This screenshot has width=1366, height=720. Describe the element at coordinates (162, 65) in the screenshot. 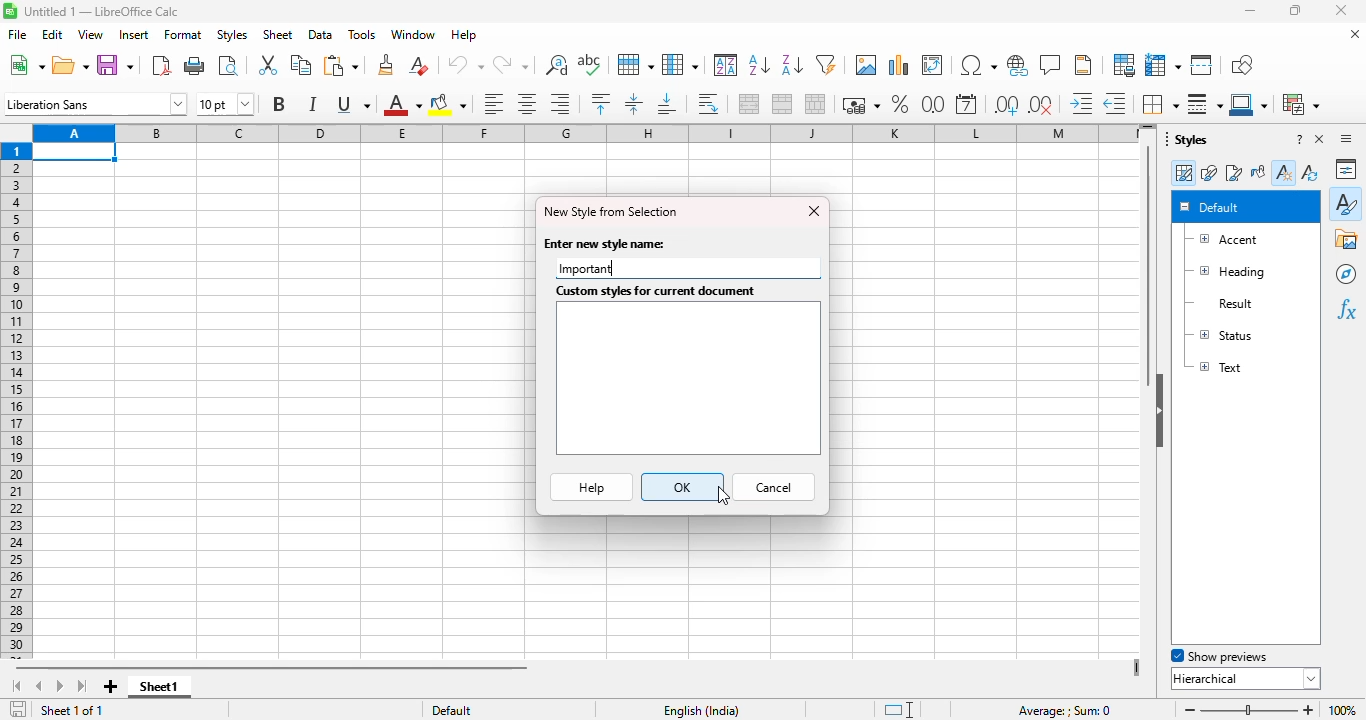

I see `export directly as PDF` at that location.